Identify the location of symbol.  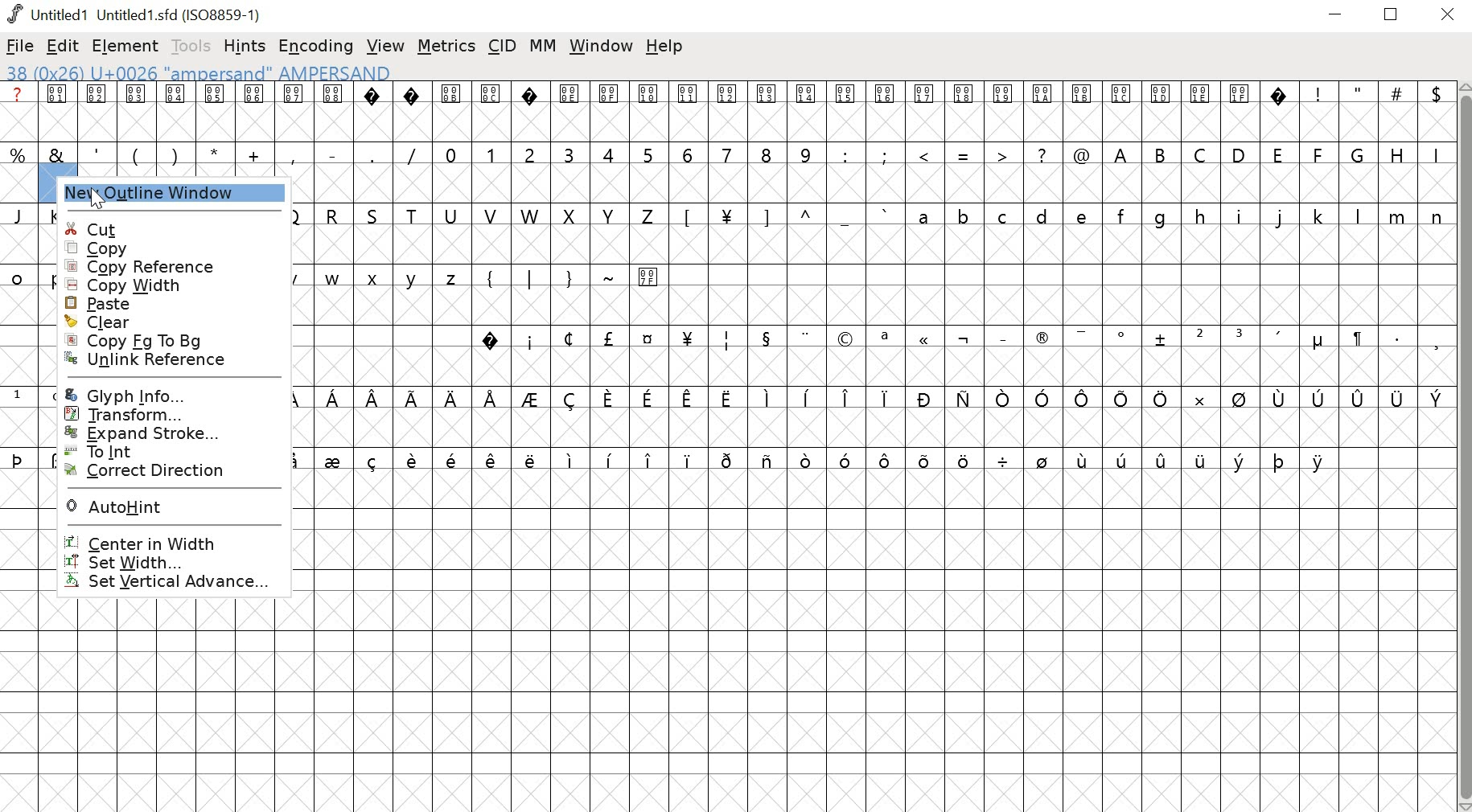
(1124, 399).